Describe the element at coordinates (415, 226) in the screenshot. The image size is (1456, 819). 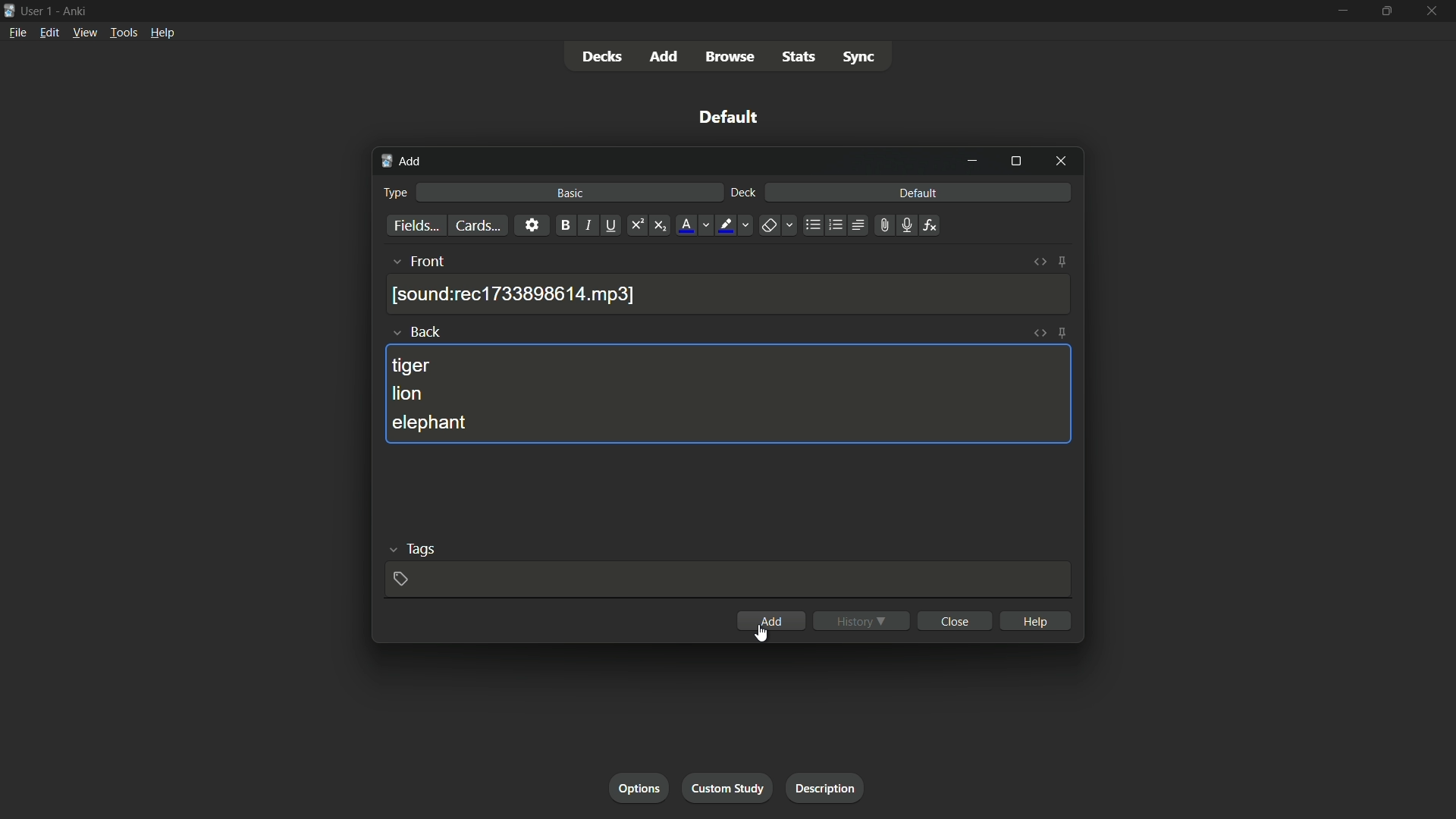
I see `fields` at that location.